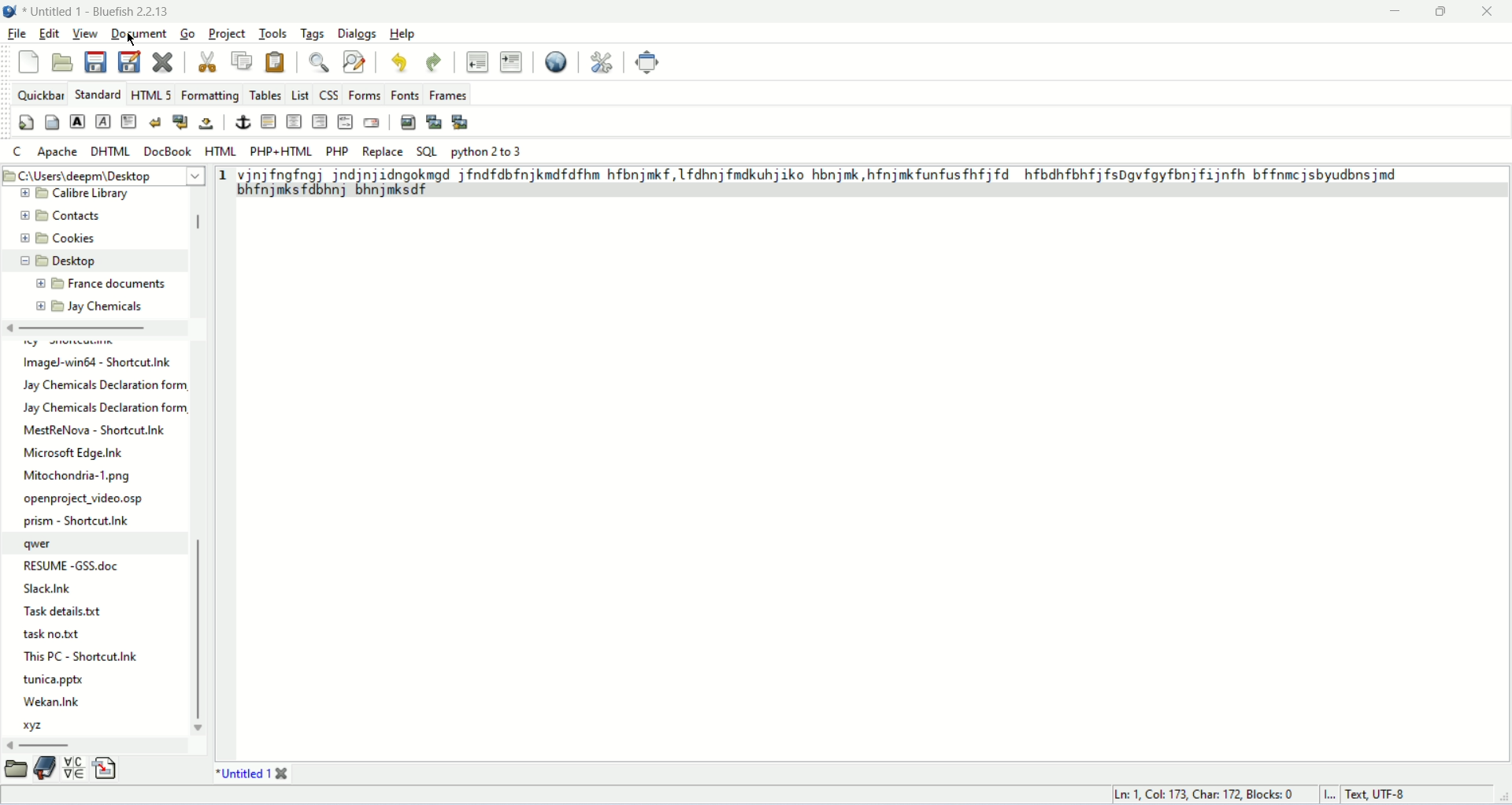 The height and width of the screenshot is (805, 1512). I want to click on break, so click(154, 122).